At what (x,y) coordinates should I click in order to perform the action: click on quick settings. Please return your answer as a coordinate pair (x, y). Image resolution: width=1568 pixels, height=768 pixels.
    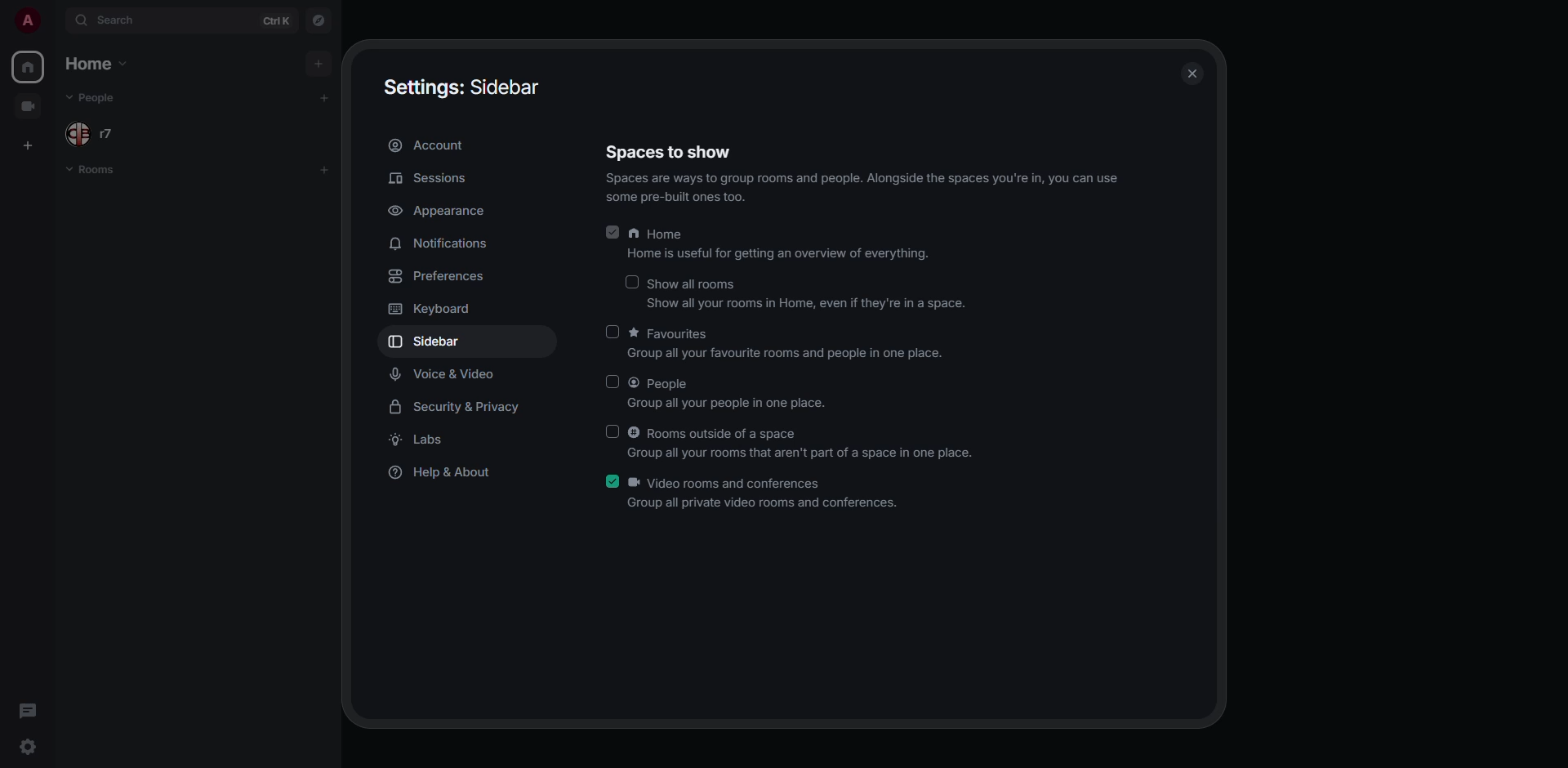
    Looking at the image, I should click on (28, 745).